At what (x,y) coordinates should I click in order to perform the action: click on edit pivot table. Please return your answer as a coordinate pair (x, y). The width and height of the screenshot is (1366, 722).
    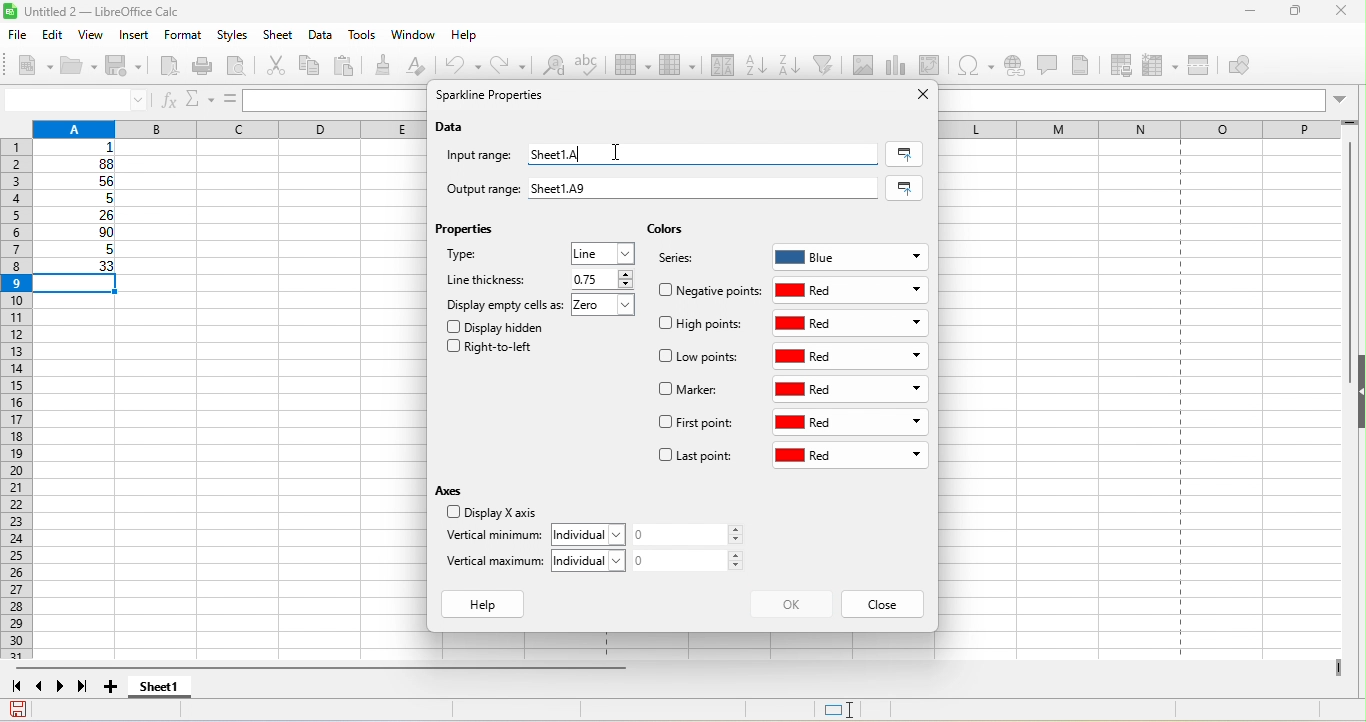
    Looking at the image, I should click on (934, 65).